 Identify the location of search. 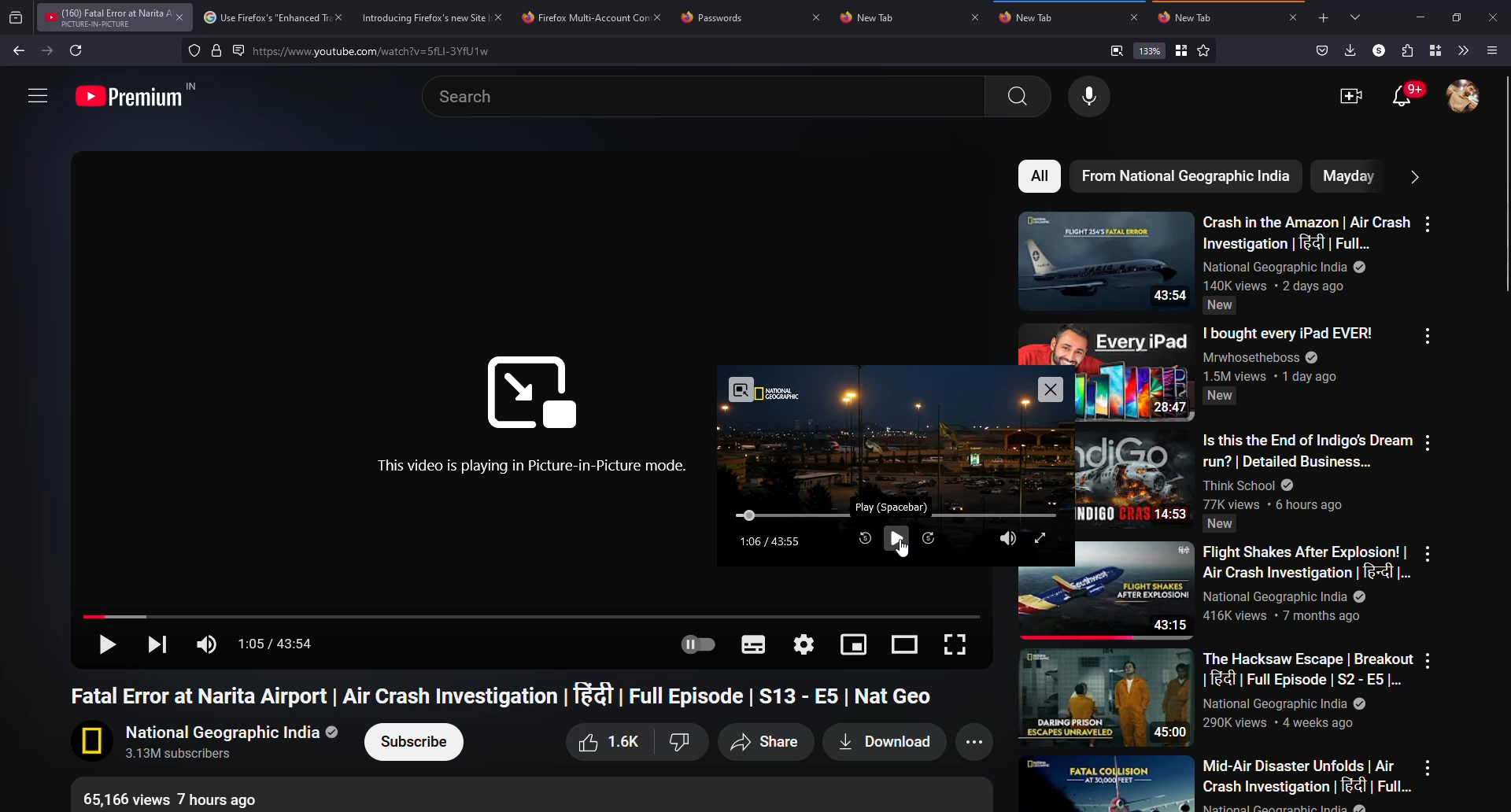
(1018, 96).